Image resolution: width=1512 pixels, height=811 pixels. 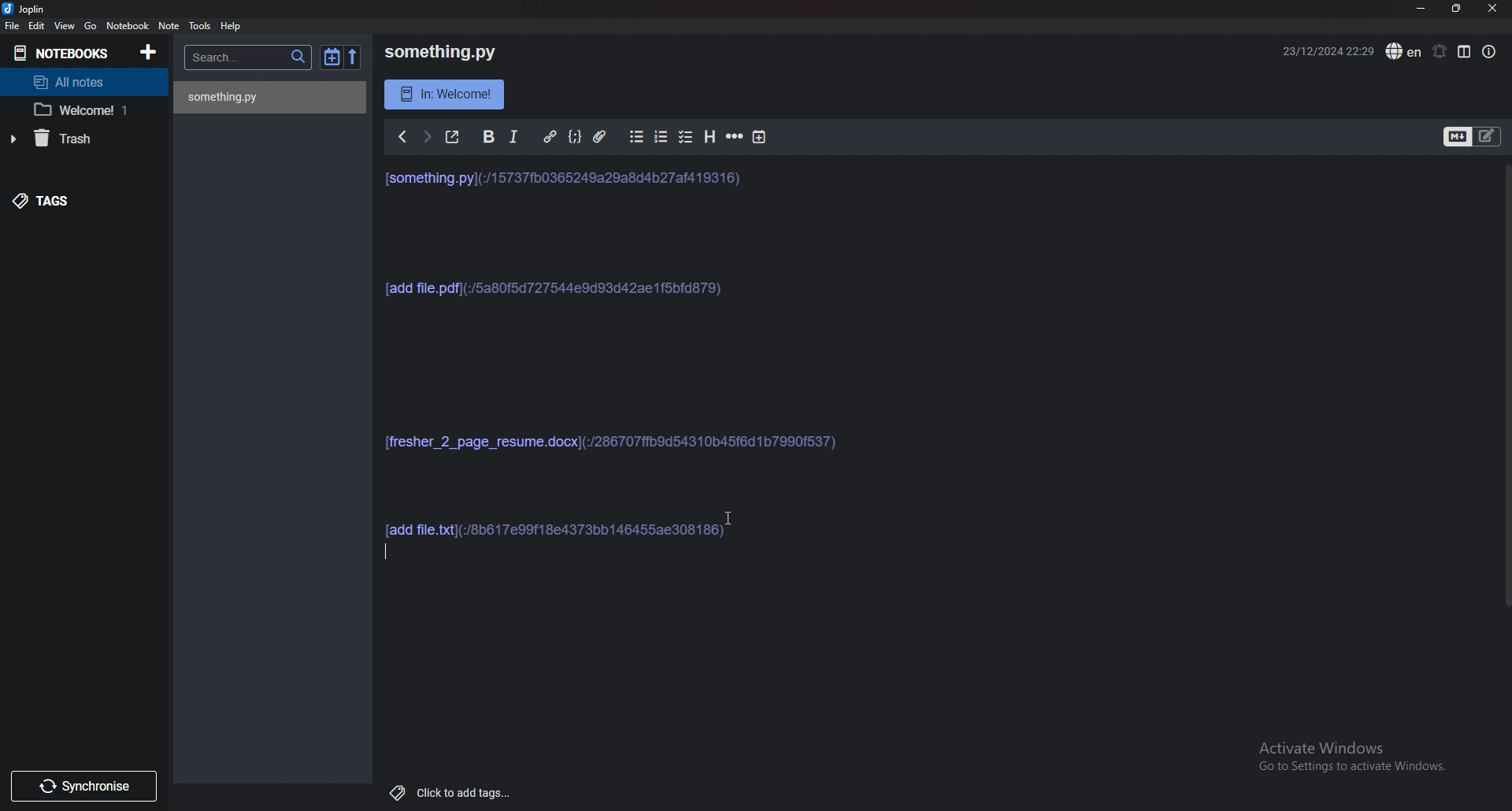 What do you see at coordinates (1465, 52) in the screenshot?
I see `Toggle editor layout` at bounding box center [1465, 52].